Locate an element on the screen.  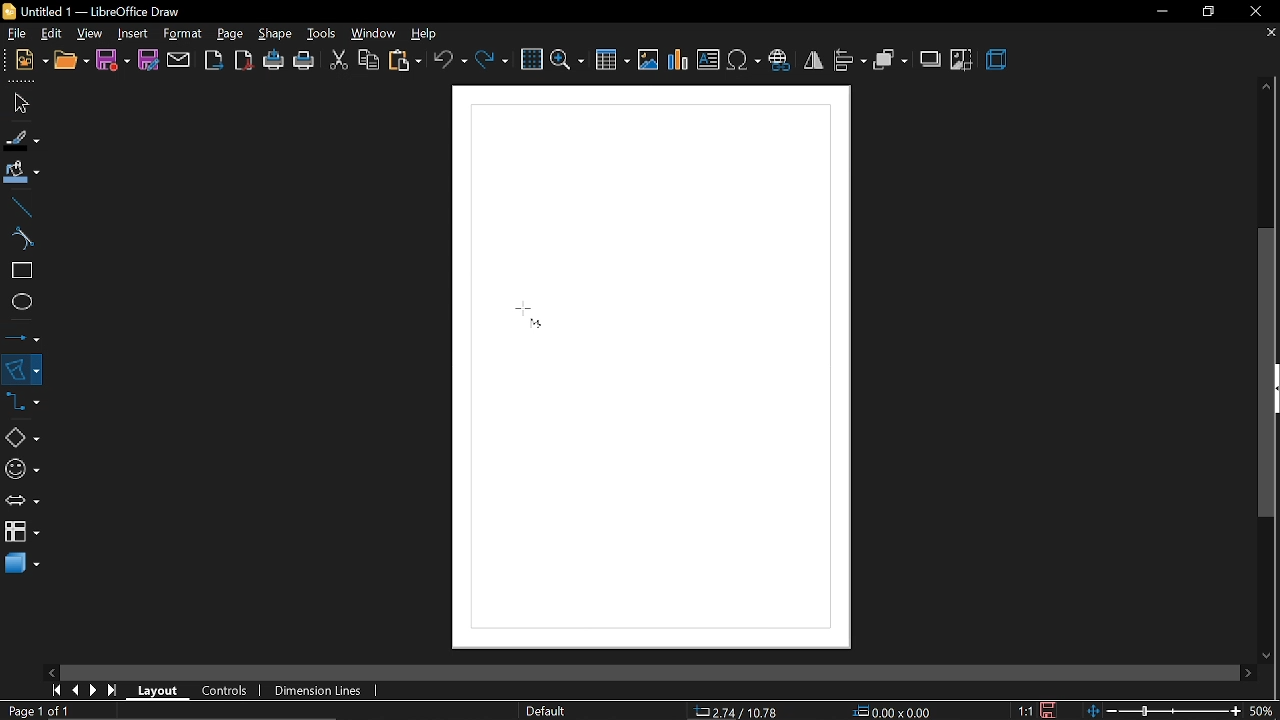
controls is located at coordinates (230, 692).